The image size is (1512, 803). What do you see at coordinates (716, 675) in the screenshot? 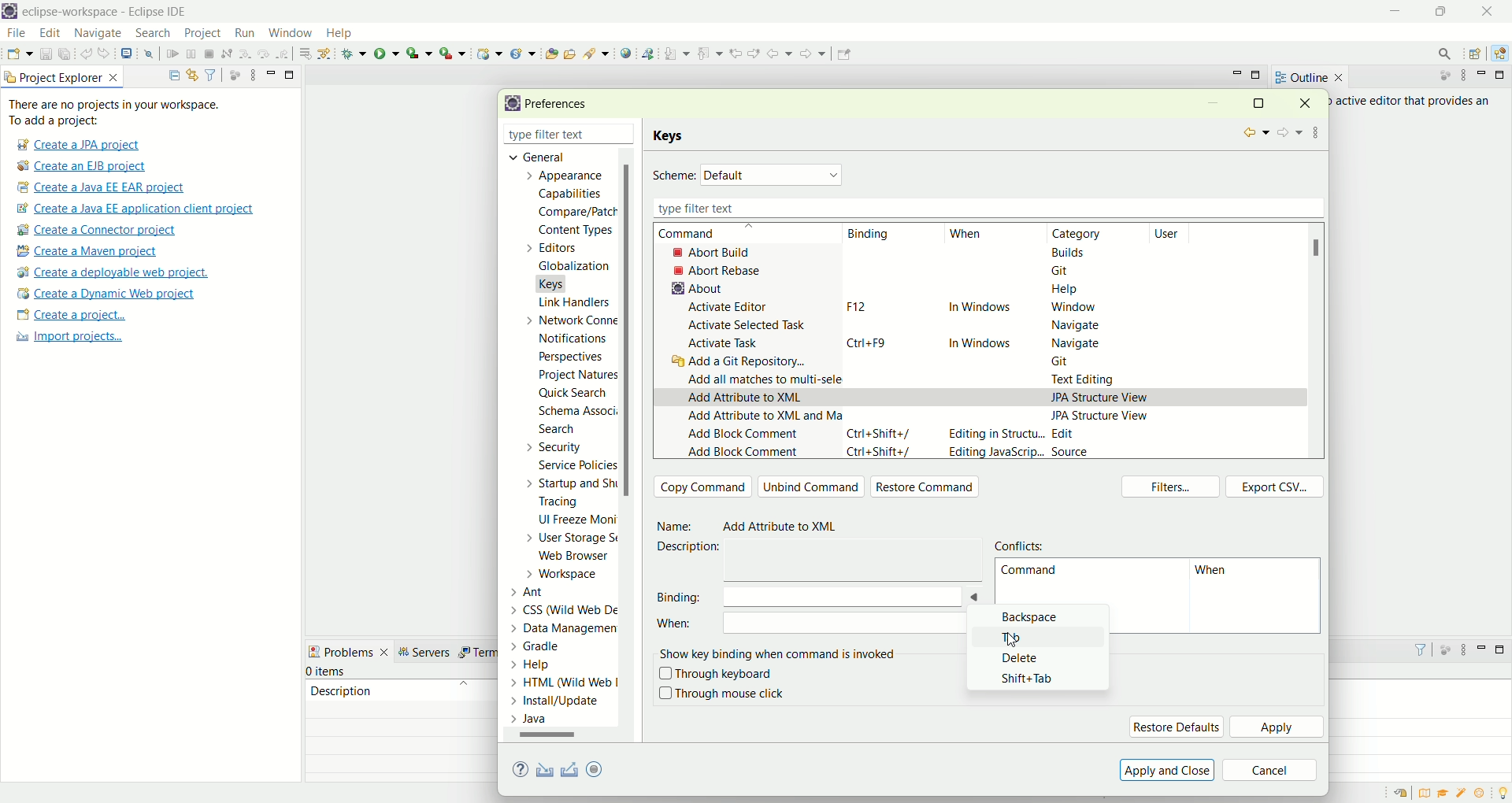
I see `through keyboard` at bounding box center [716, 675].